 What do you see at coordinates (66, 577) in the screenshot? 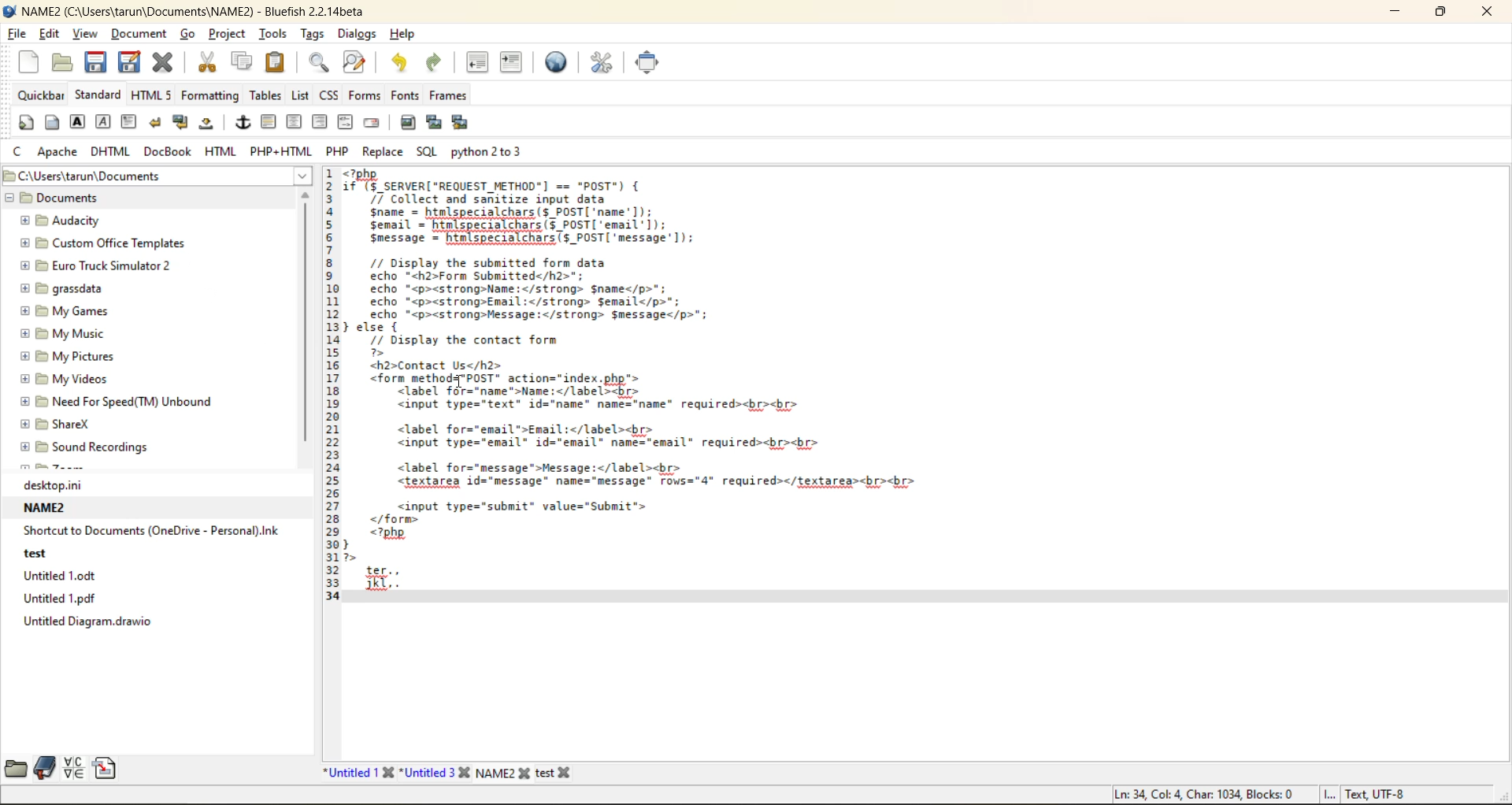
I see `untitled` at bounding box center [66, 577].